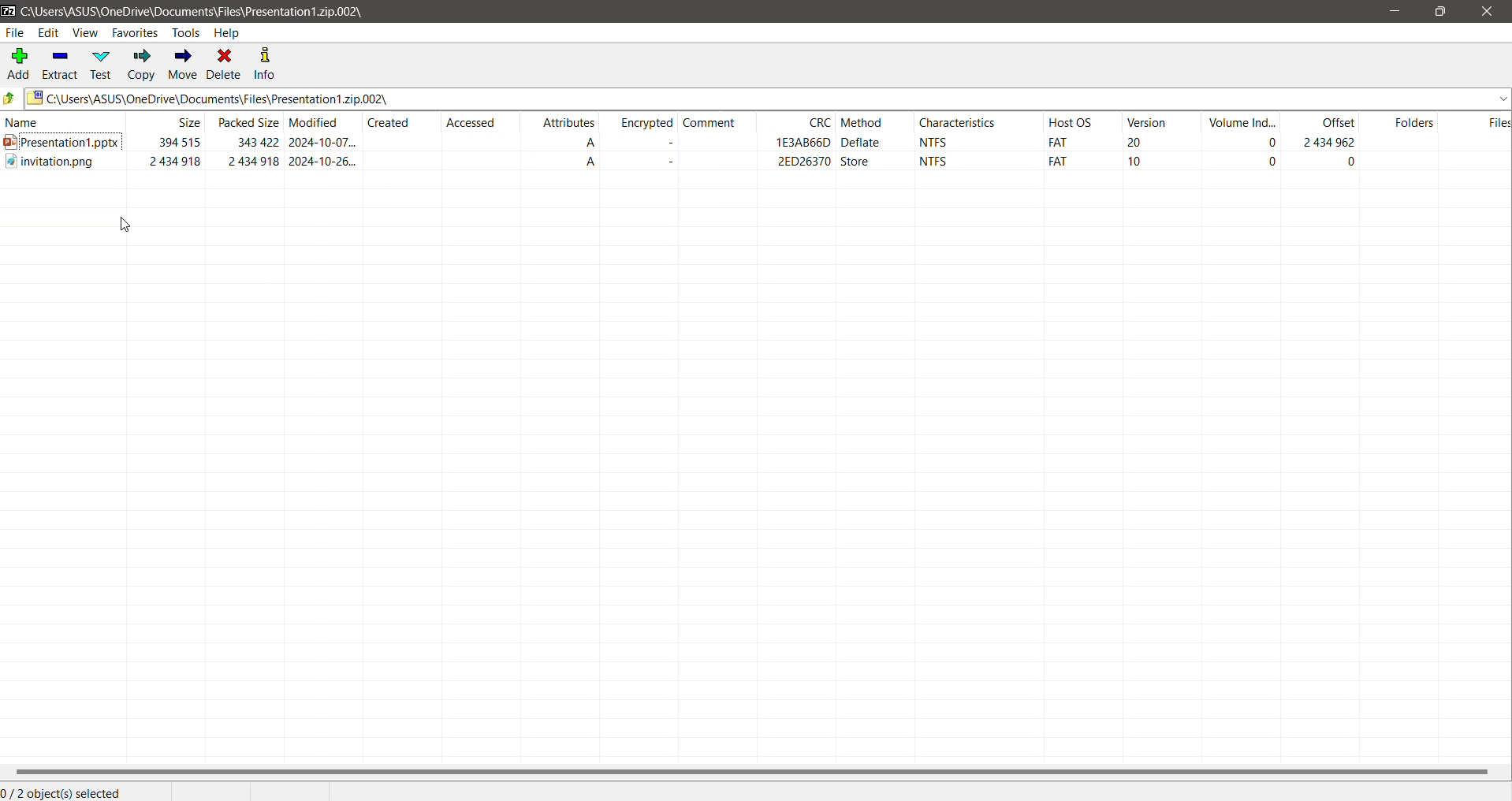 Image resolution: width=1512 pixels, height=801 pixels. Describe the element at coordinates (589, 164) in the screenshot. I see `A` at that location.